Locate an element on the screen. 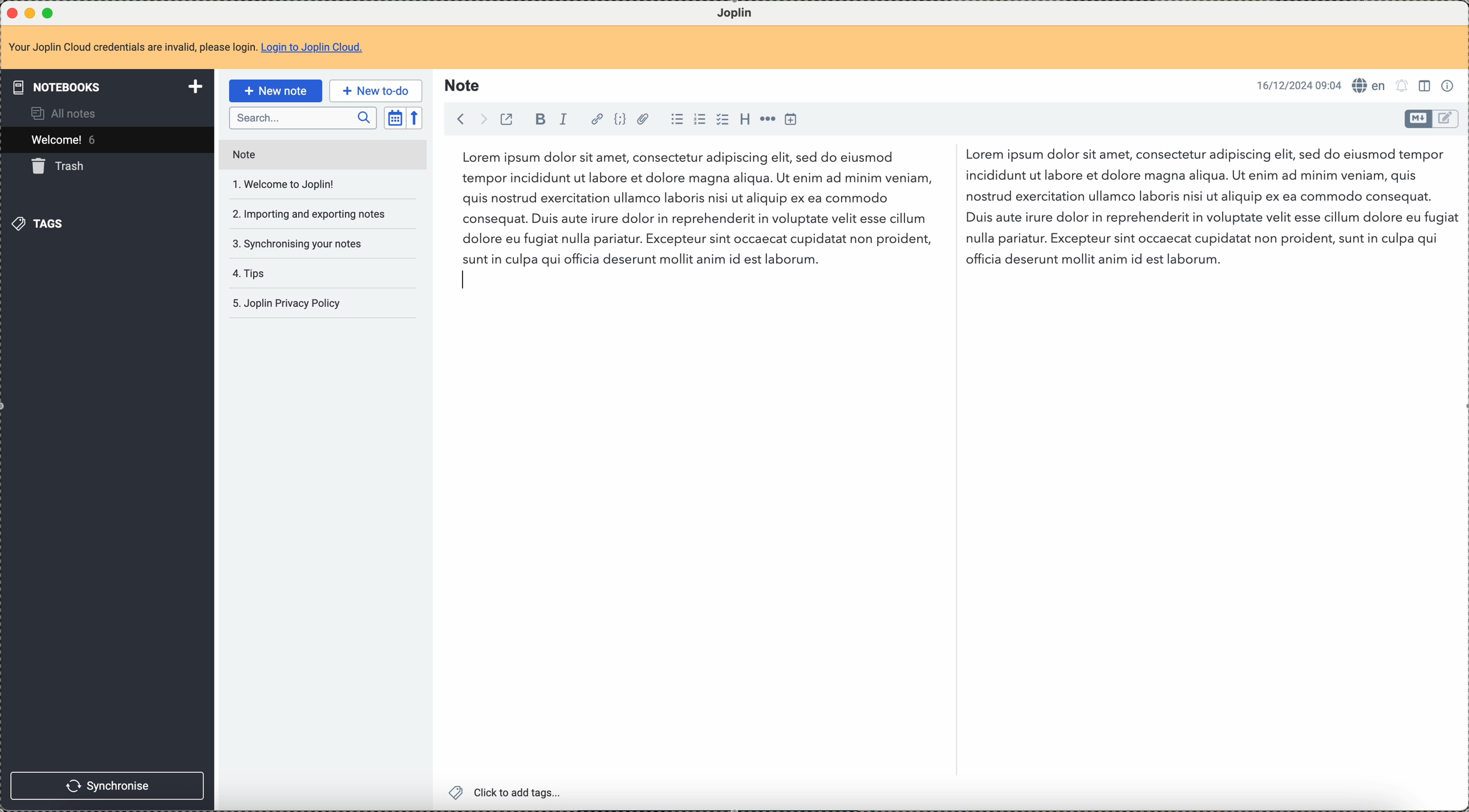 Image resolution: width=1469 pixels, height=812 pixels. click to add tags is located at coordinates (505, 793).